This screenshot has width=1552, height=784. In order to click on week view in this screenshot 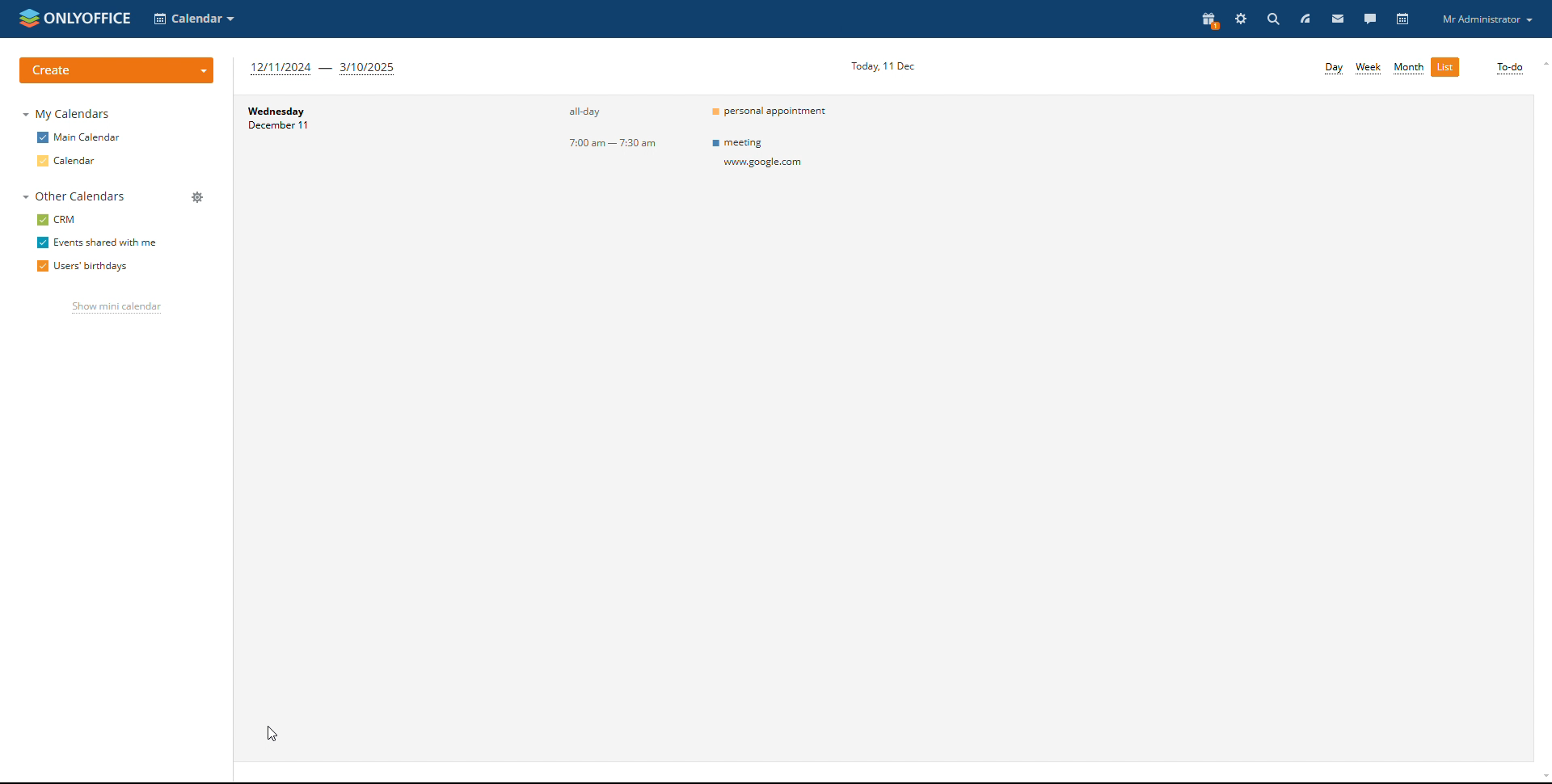, I will do `click(1369, 68)`.